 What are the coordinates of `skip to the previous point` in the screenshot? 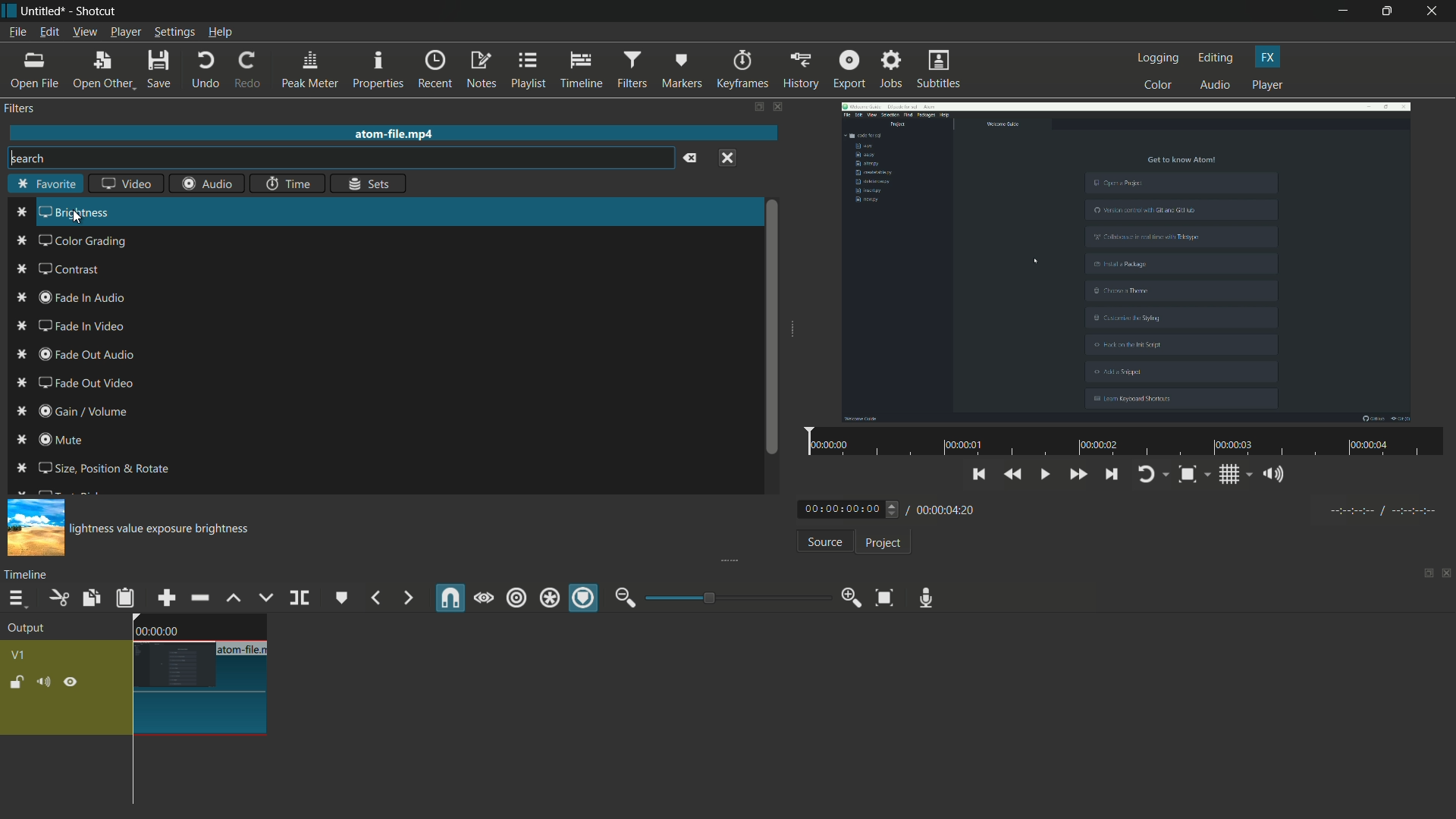 It's located at (979, 472).